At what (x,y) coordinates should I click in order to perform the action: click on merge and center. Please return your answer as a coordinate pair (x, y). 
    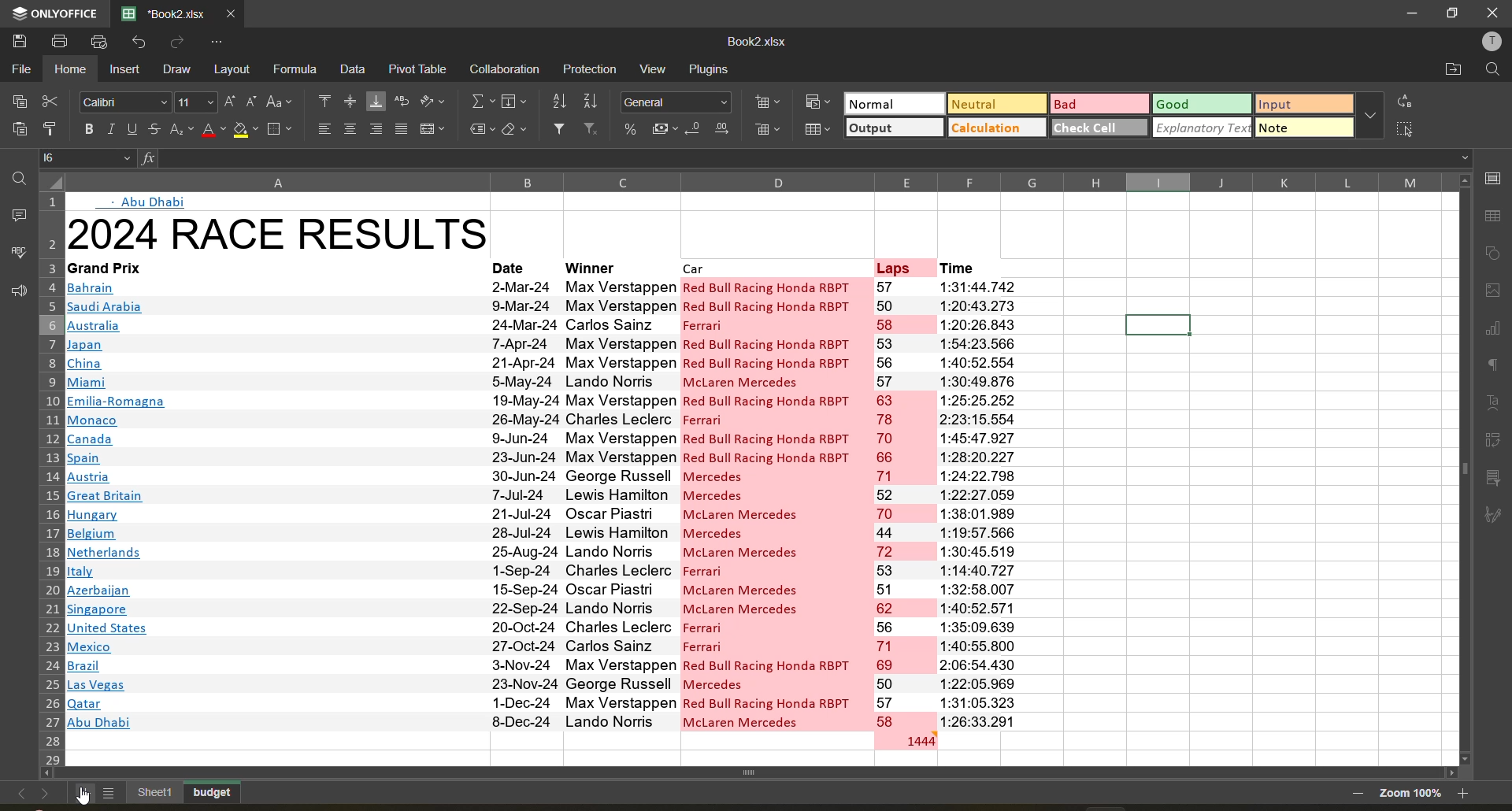
    Looking at the image, I should click on (436, 130).